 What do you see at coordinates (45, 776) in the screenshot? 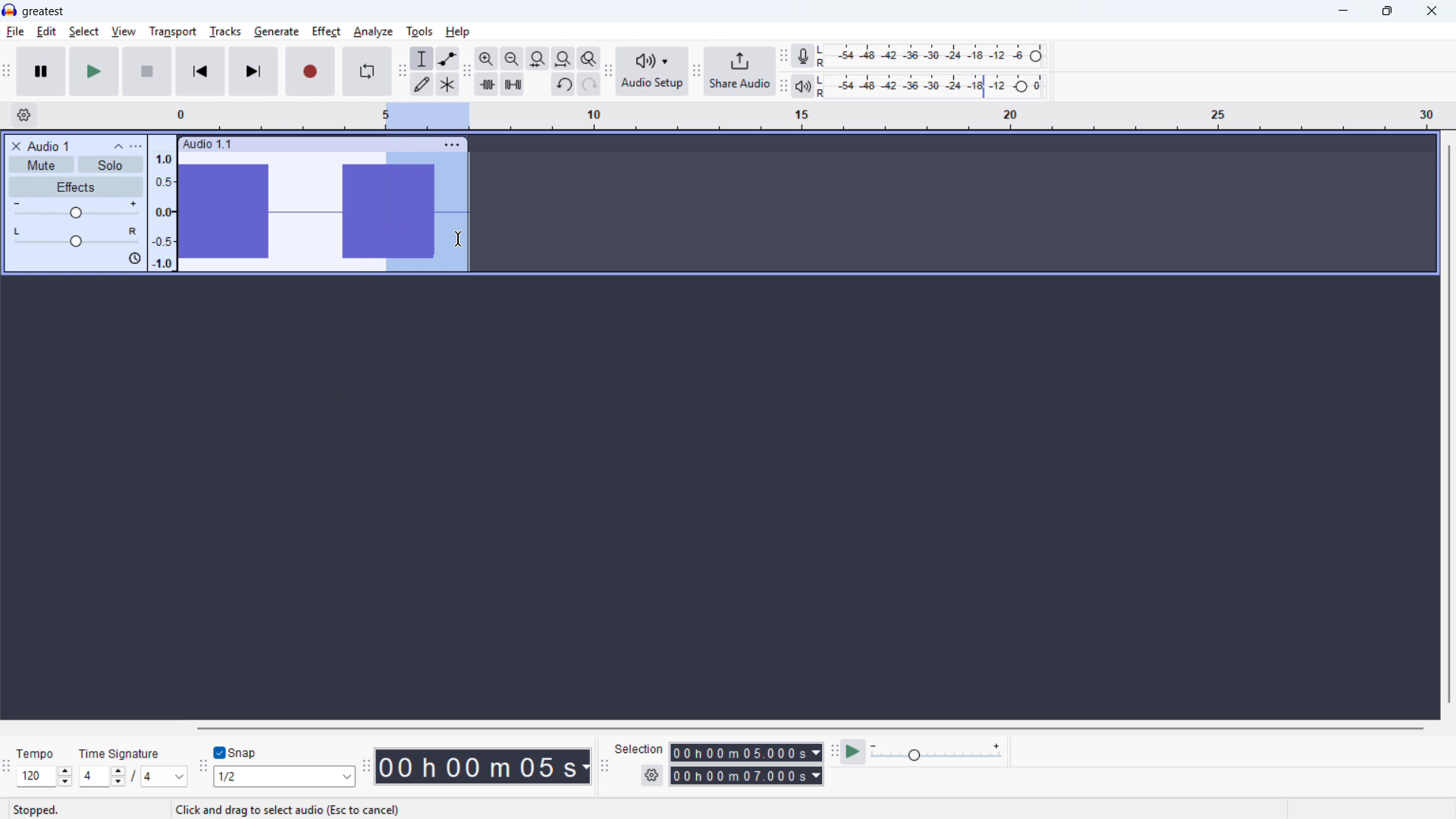
I see `Set tempo ` at bounding box center [45, 776].